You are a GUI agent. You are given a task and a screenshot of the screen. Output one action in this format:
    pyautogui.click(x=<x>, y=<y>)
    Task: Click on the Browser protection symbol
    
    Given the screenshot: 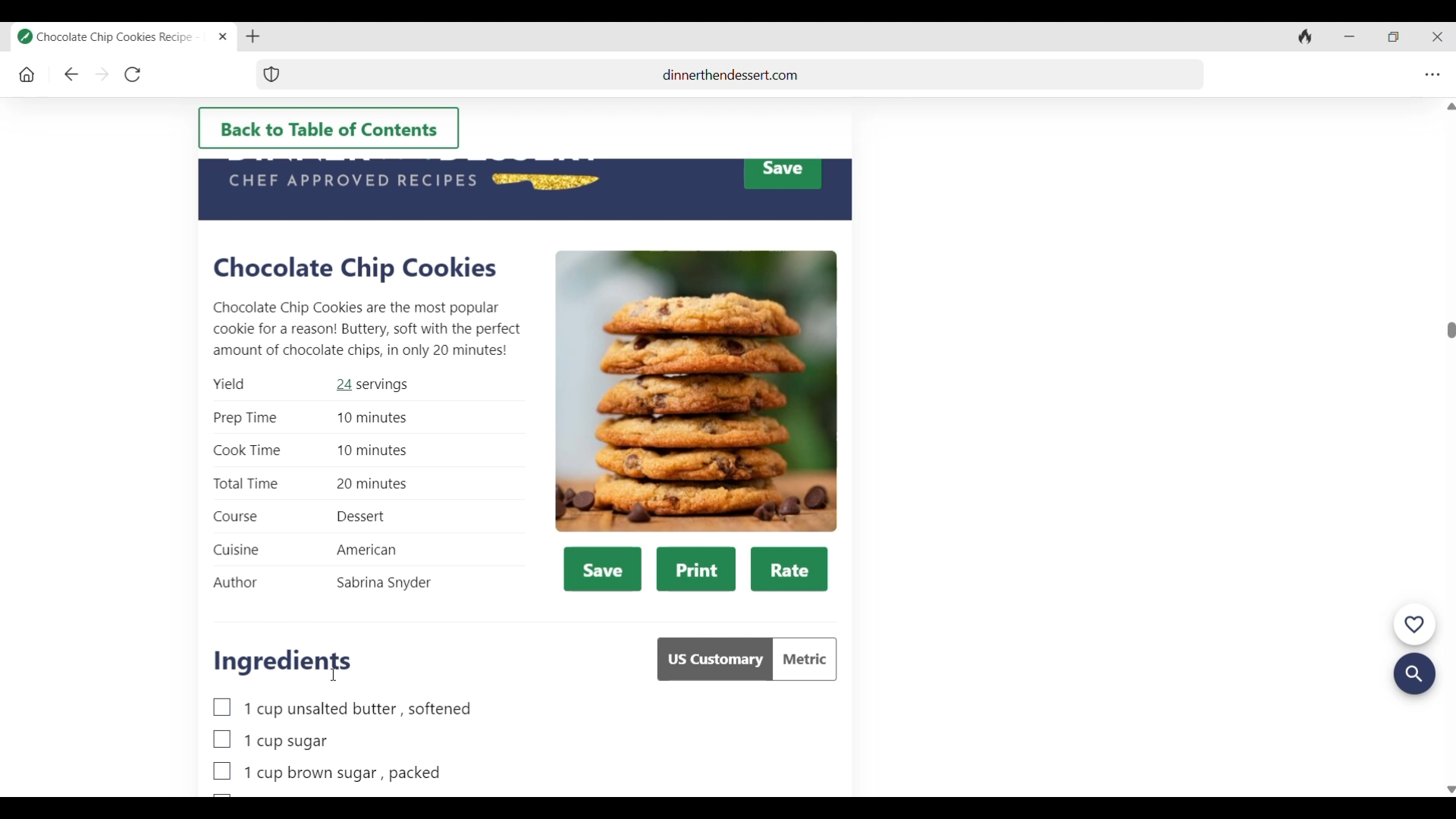 What is the action you would take?
    pyautogui.click(x=271, y=74)
    